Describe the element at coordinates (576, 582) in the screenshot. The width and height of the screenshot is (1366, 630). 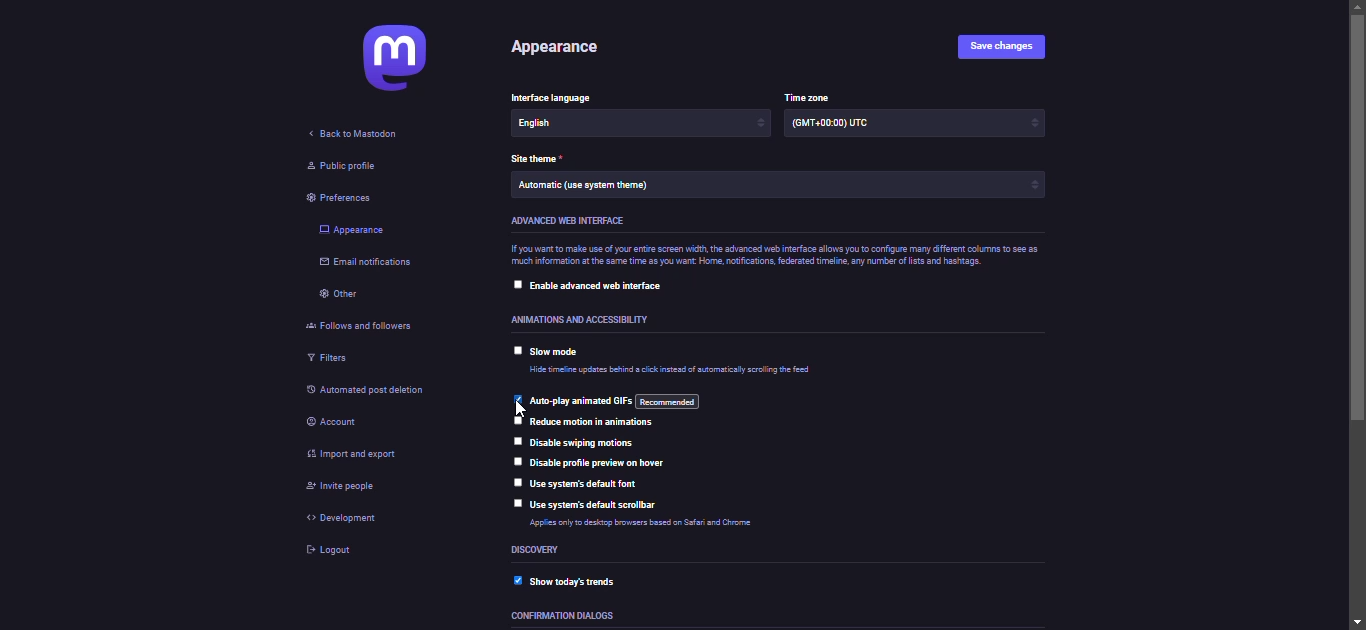
I see `show today's trends` at that location.